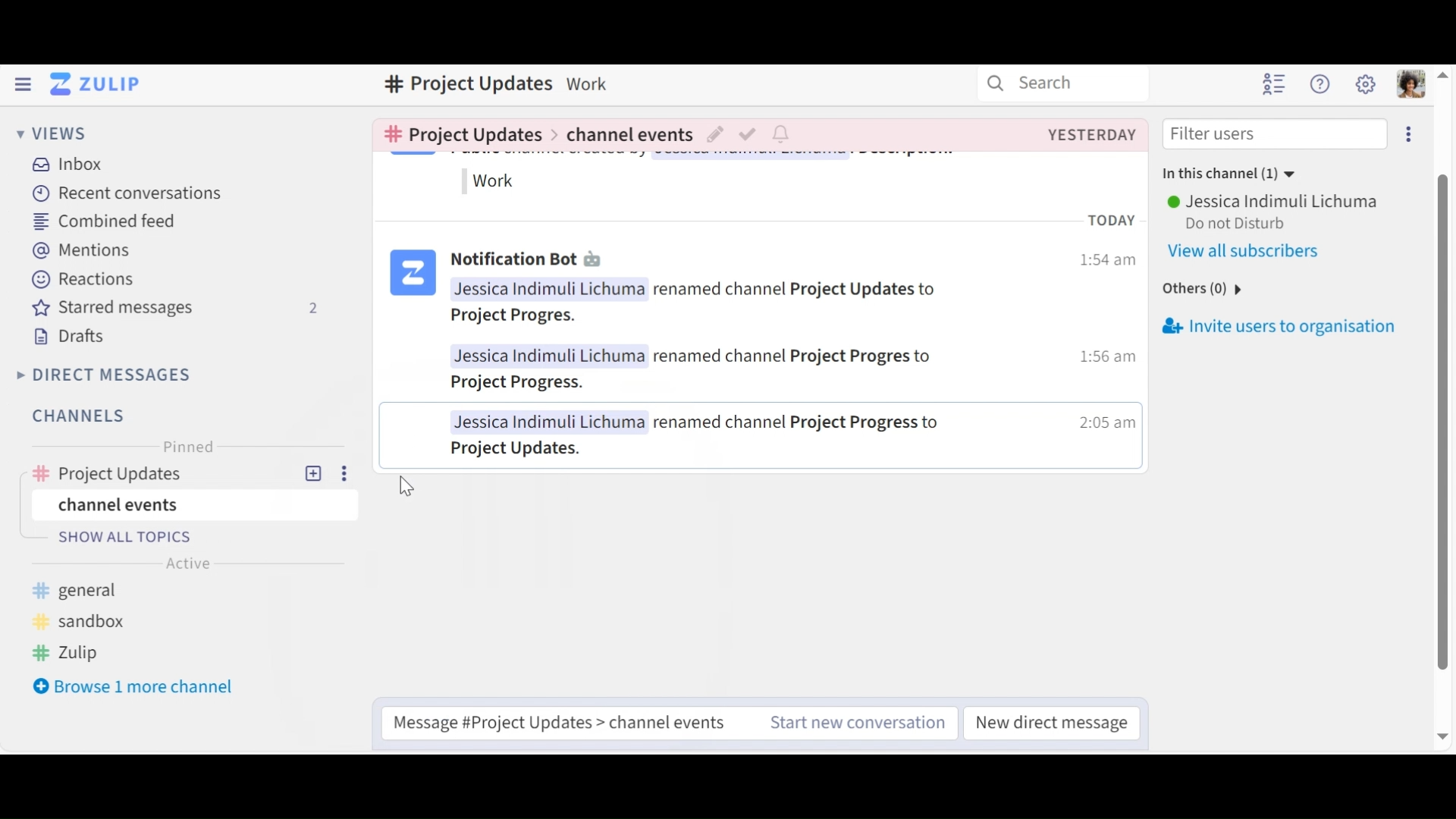 This screenshot has height=819, width=1456. Describe the element at coordinates (80, 249) in the screenshot. I see `Mentions` at that location.